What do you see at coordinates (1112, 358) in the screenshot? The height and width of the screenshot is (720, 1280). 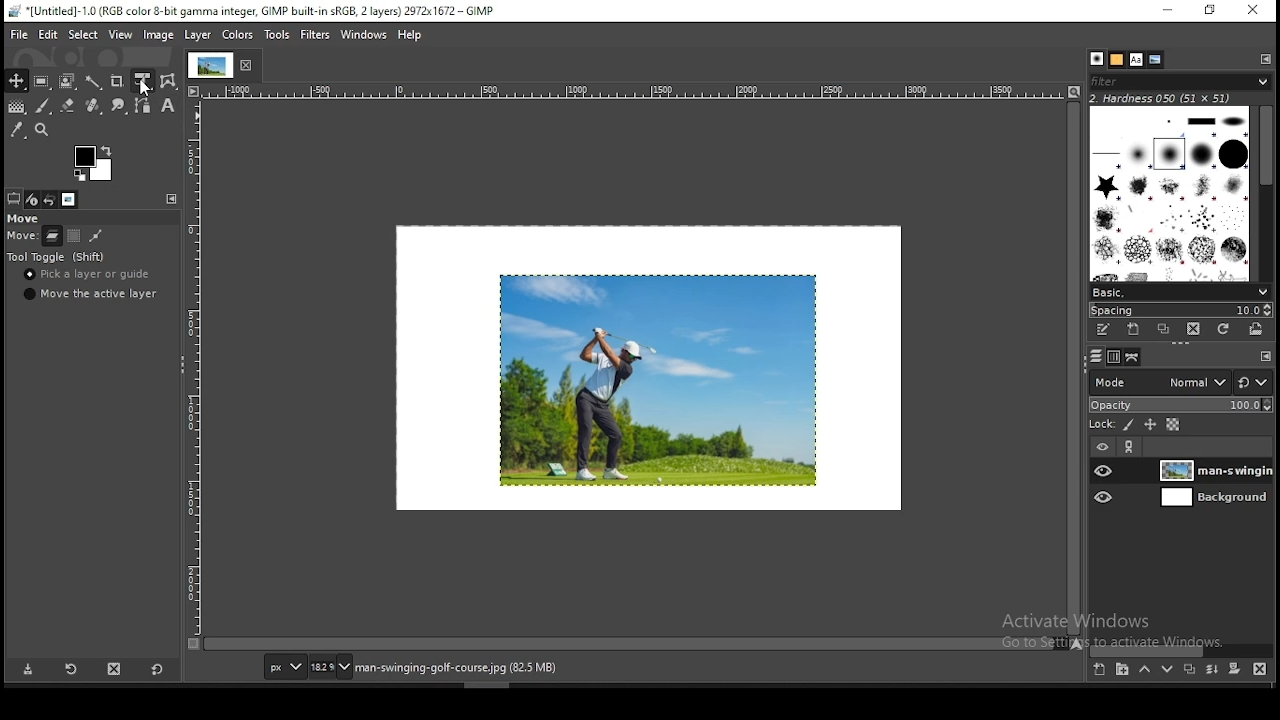 I see `channels` at bounding box center [1112, 358].